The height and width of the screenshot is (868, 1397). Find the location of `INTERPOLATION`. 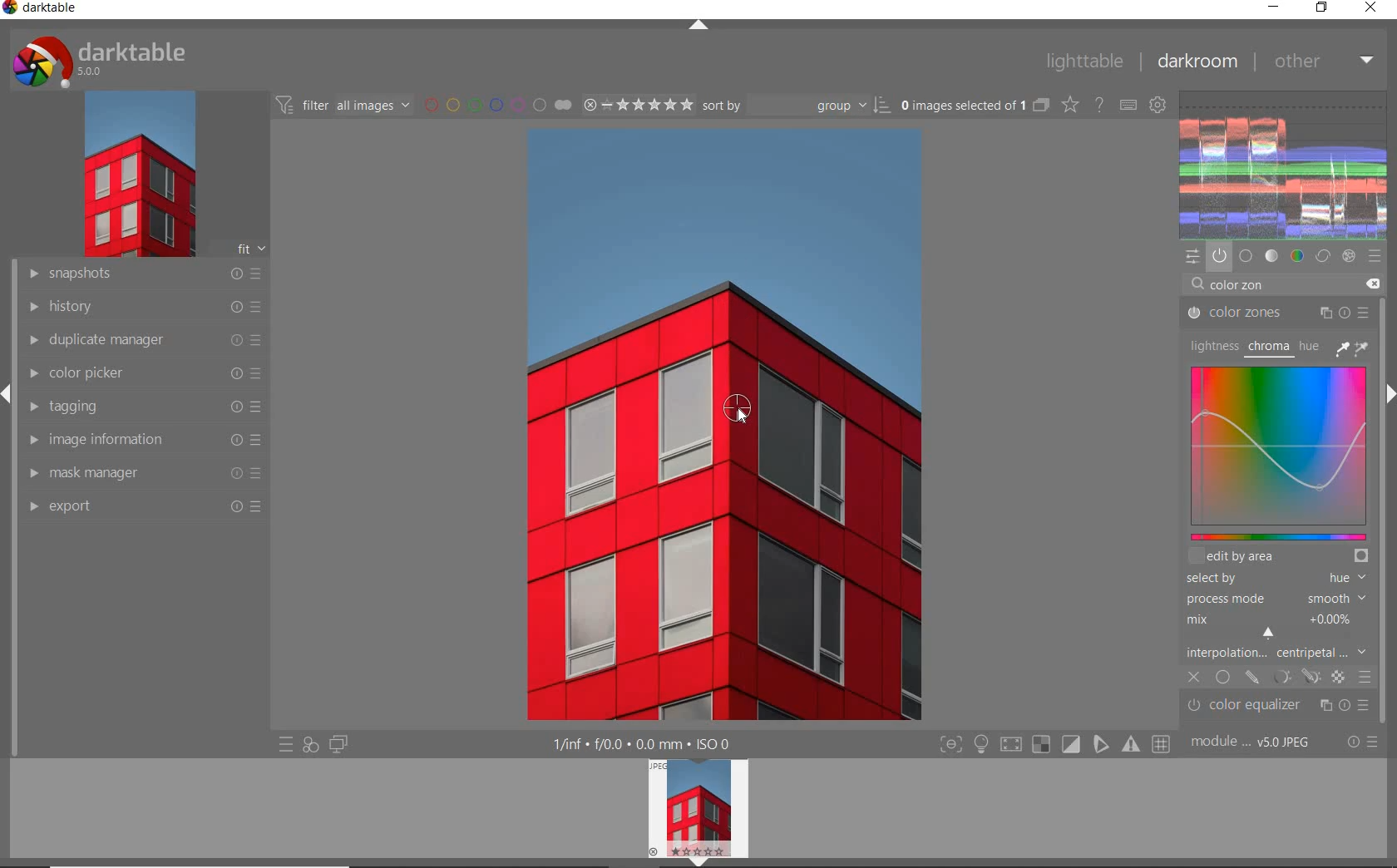

INTERPOLATION is located at coordinates (1276, 652).